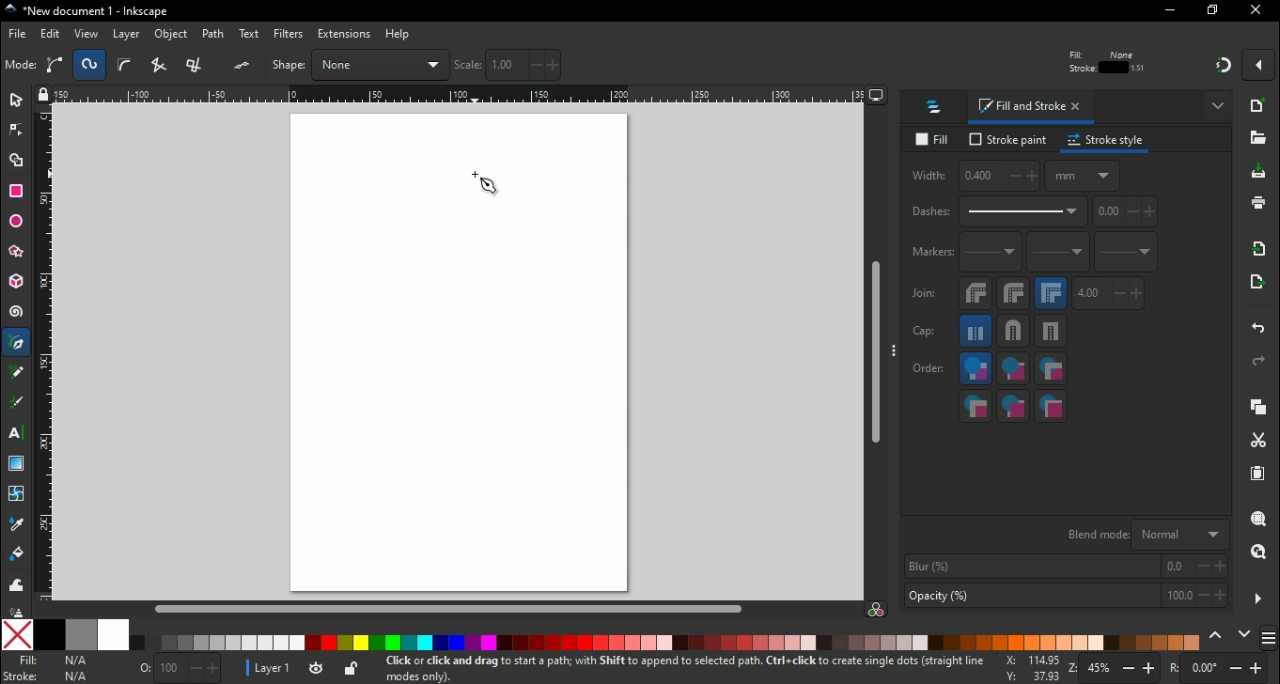 This screenshot has height=684, width=1280. Describe the element at coordinates (1259, 176) in the screenshot. I see `save` at that location.